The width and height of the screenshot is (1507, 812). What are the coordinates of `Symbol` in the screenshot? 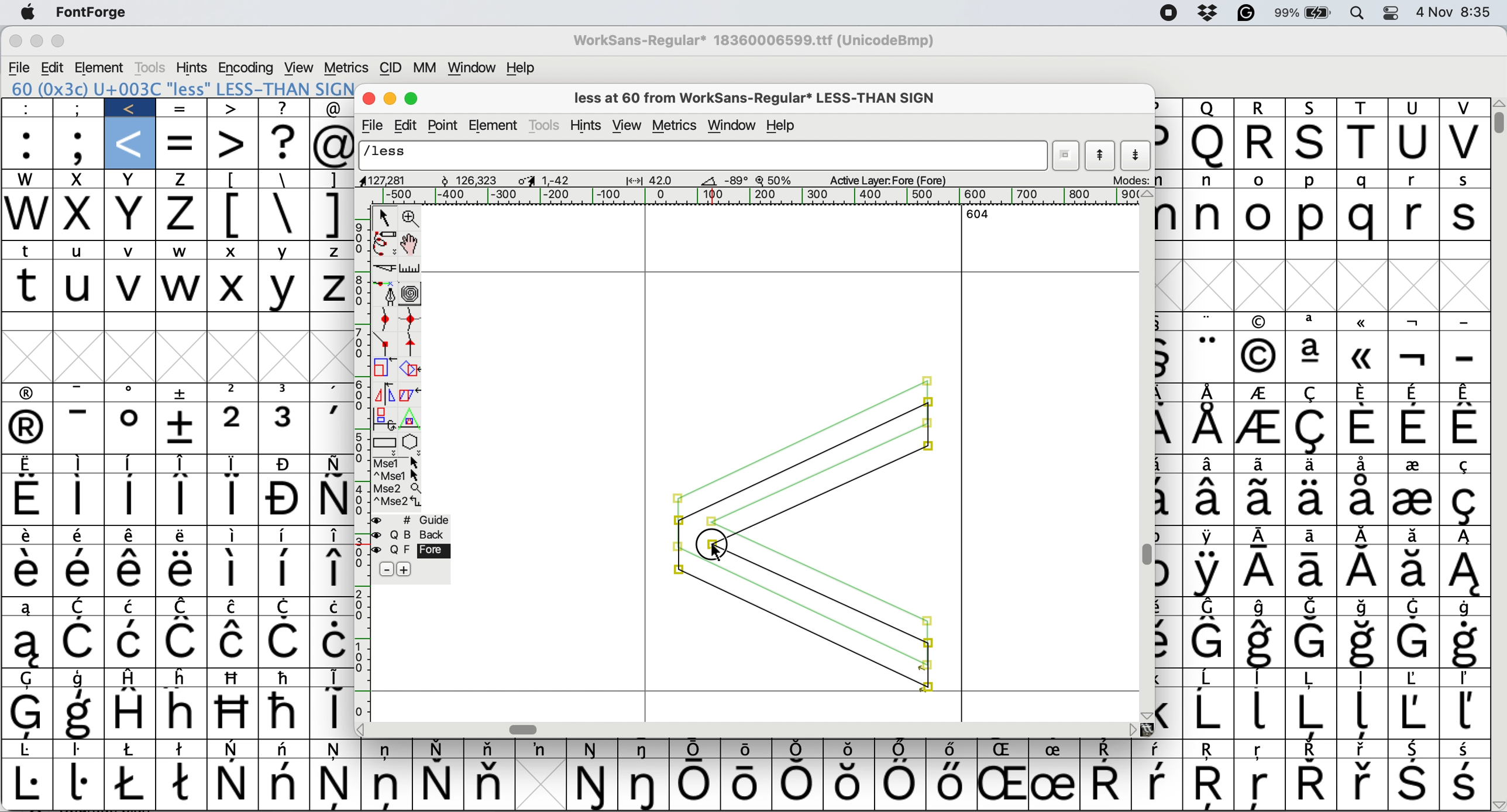 It's located at (29, 430).